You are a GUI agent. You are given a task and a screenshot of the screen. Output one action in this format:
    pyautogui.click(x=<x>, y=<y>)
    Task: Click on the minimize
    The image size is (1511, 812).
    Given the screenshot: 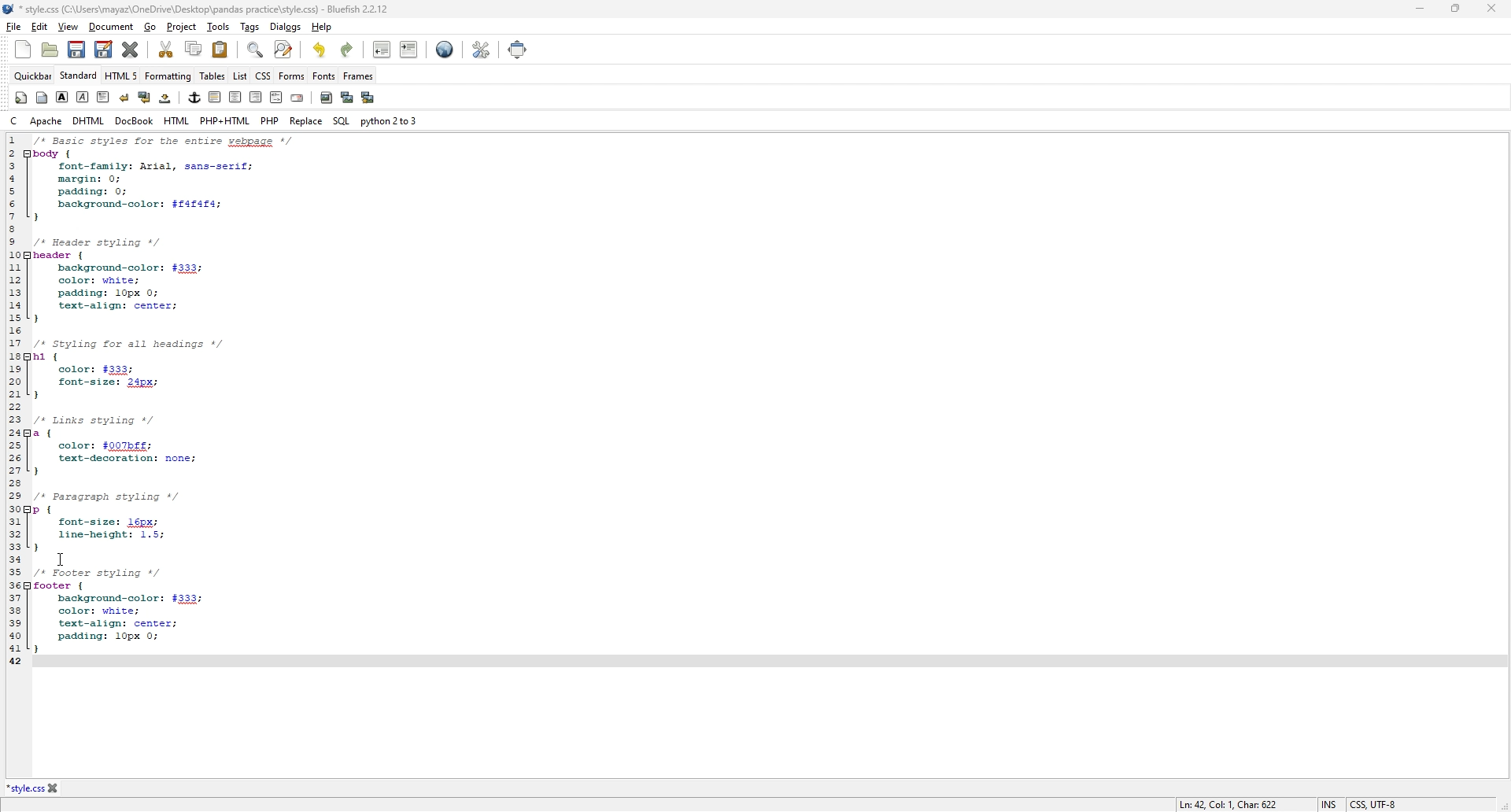 What is the action you would take?
    pyautogui.click(x=1420, y=9)
    